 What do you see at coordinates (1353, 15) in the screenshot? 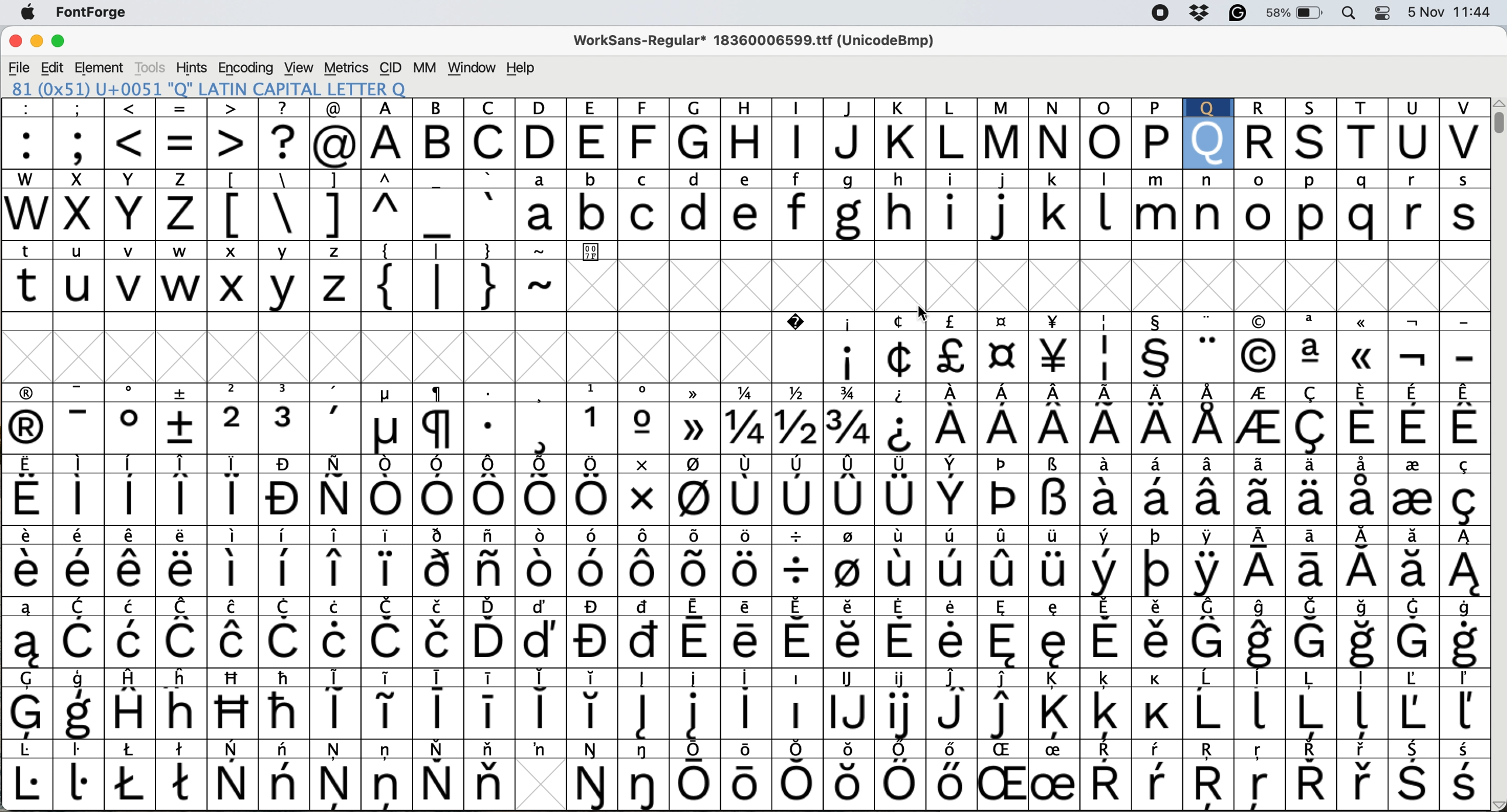
I see `spotlight search` at bounding box center [1353, 15].